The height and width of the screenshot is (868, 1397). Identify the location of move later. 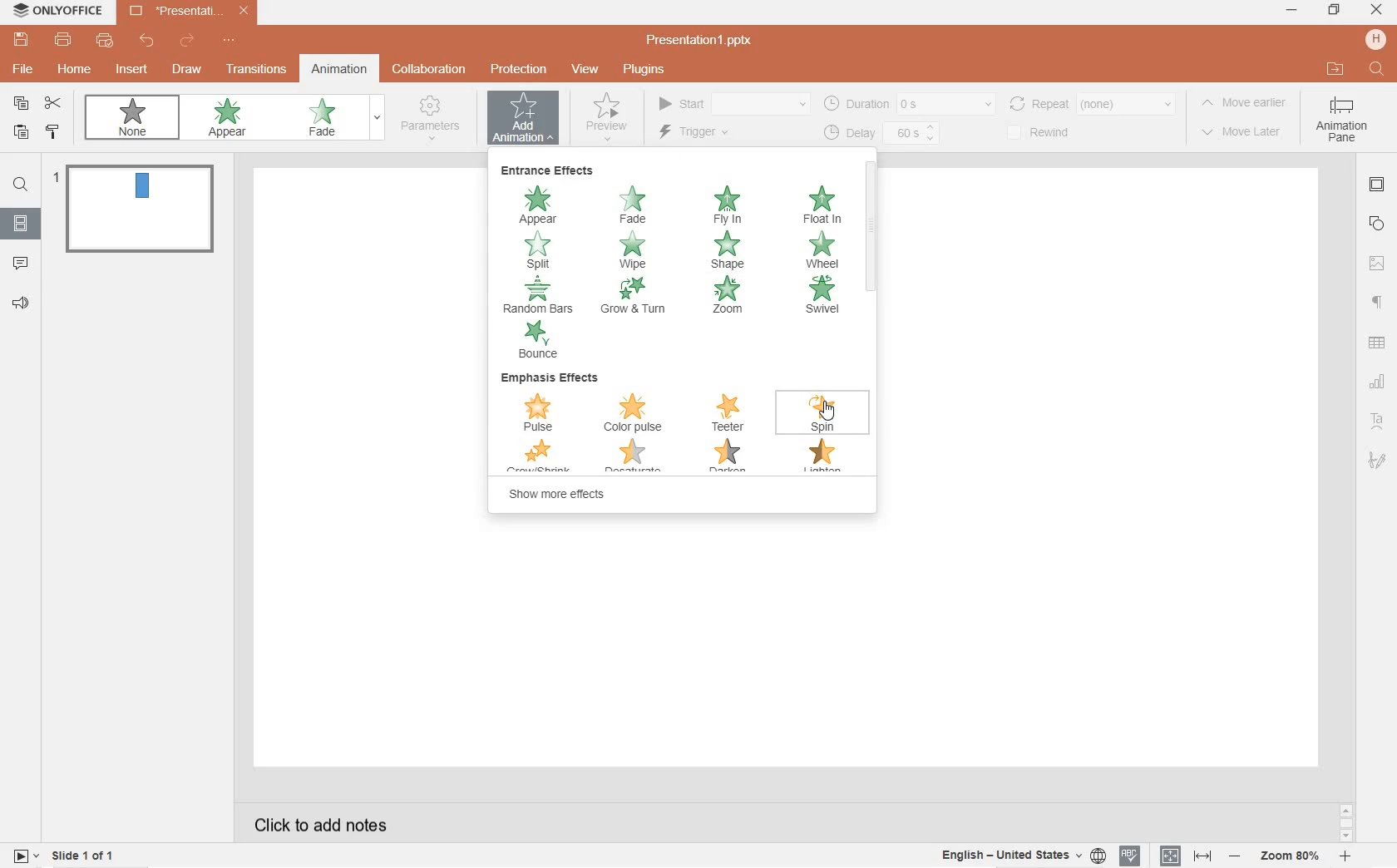
(1242, 136).